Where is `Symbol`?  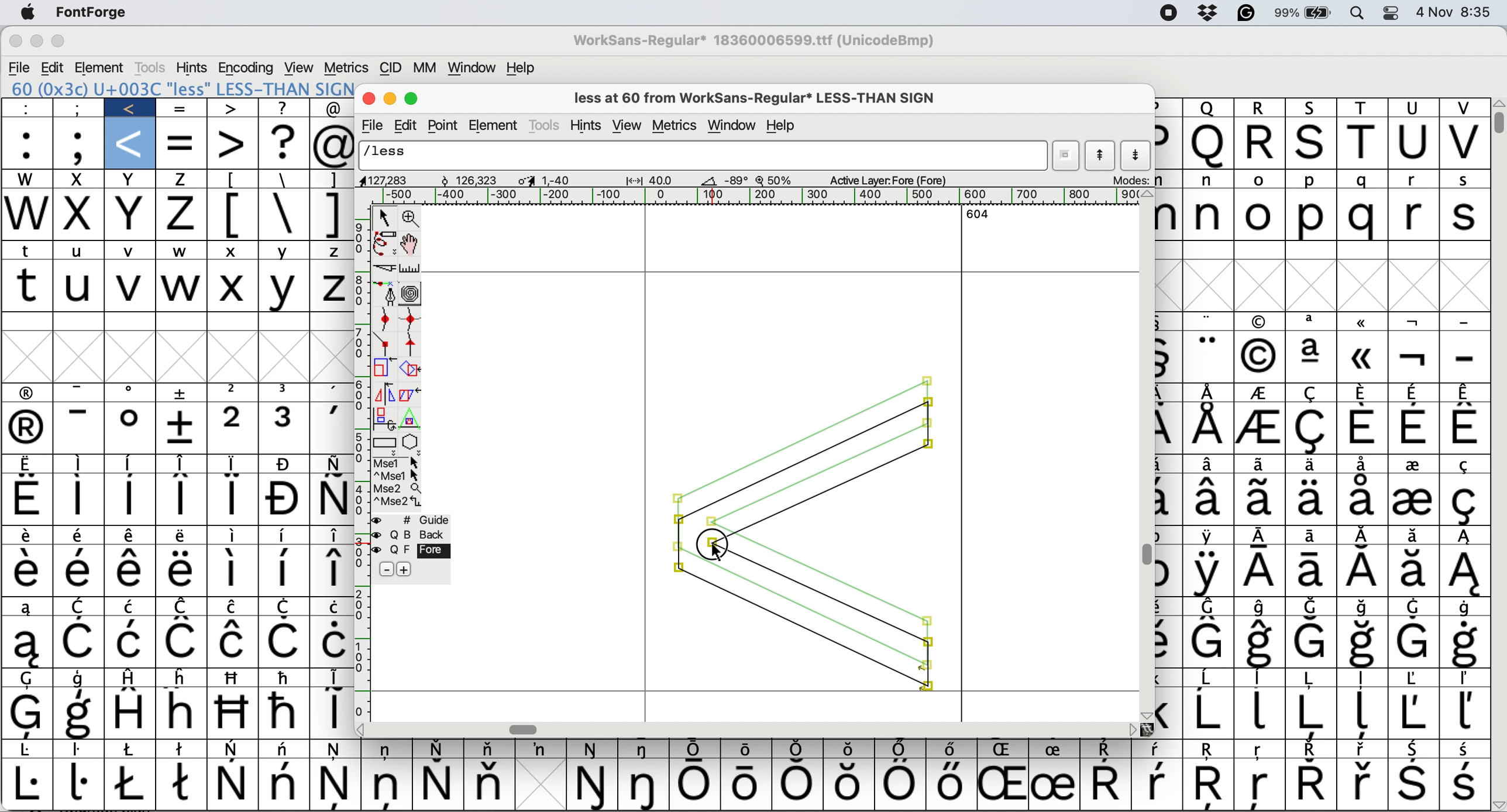
Symbol is located at coordinates (78, 571).